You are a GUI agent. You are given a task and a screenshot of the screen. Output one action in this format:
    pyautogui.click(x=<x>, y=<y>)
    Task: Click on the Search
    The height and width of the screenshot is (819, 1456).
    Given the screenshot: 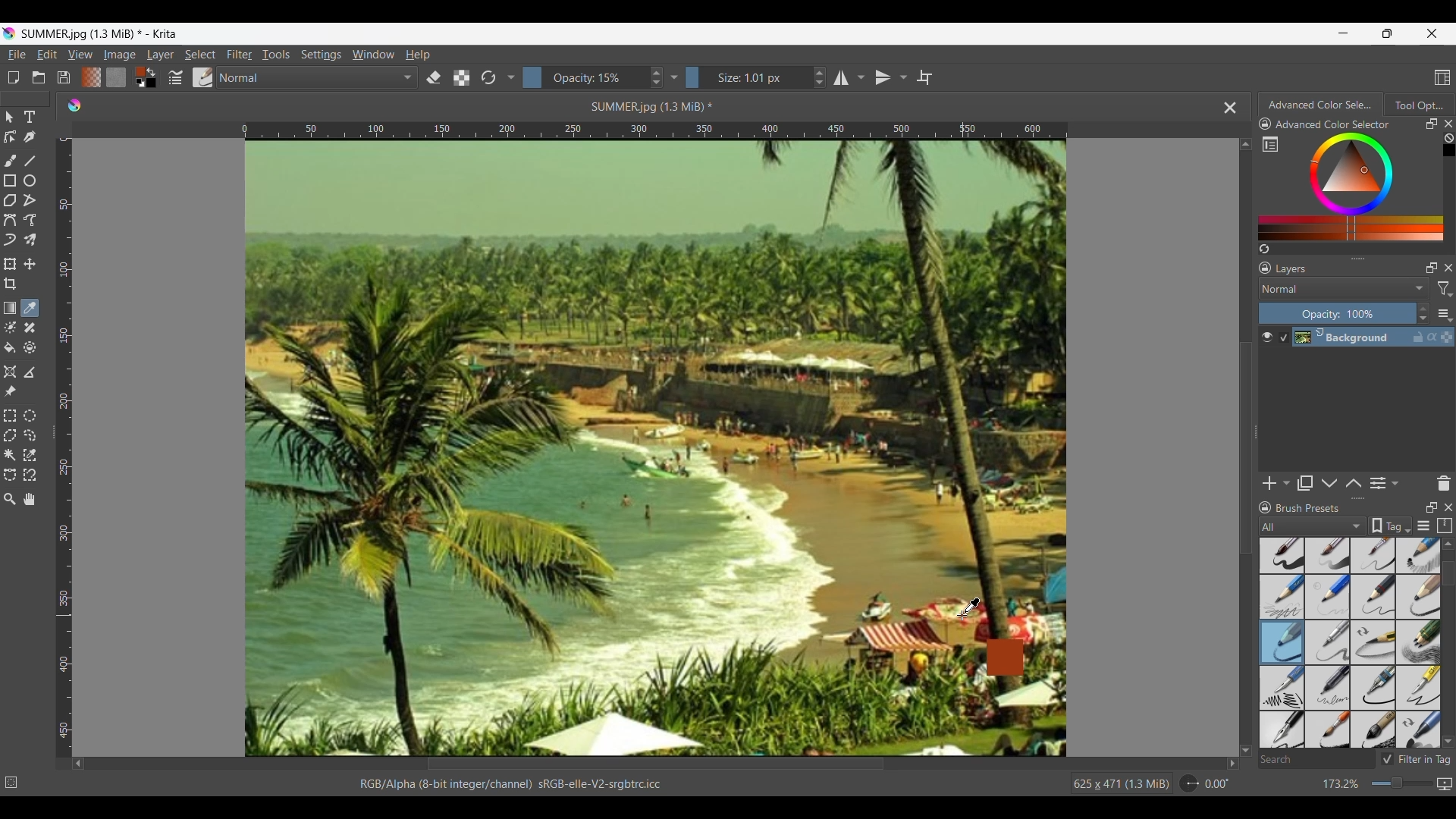 What is the action you would take?
    pyautogui.click(x=1316, y=761)
    